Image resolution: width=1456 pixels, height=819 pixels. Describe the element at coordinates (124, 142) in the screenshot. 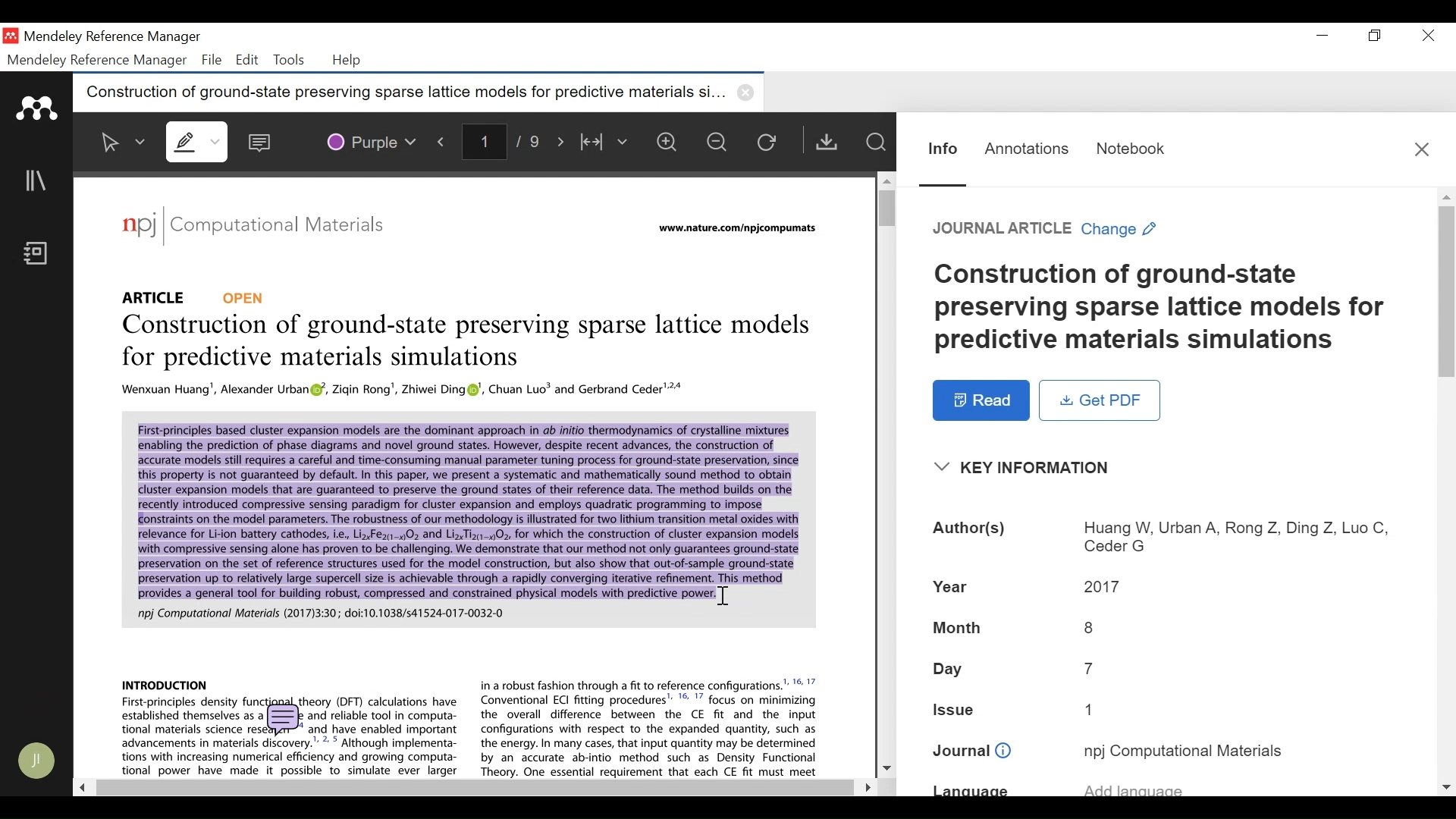

I see `Select` at that location.